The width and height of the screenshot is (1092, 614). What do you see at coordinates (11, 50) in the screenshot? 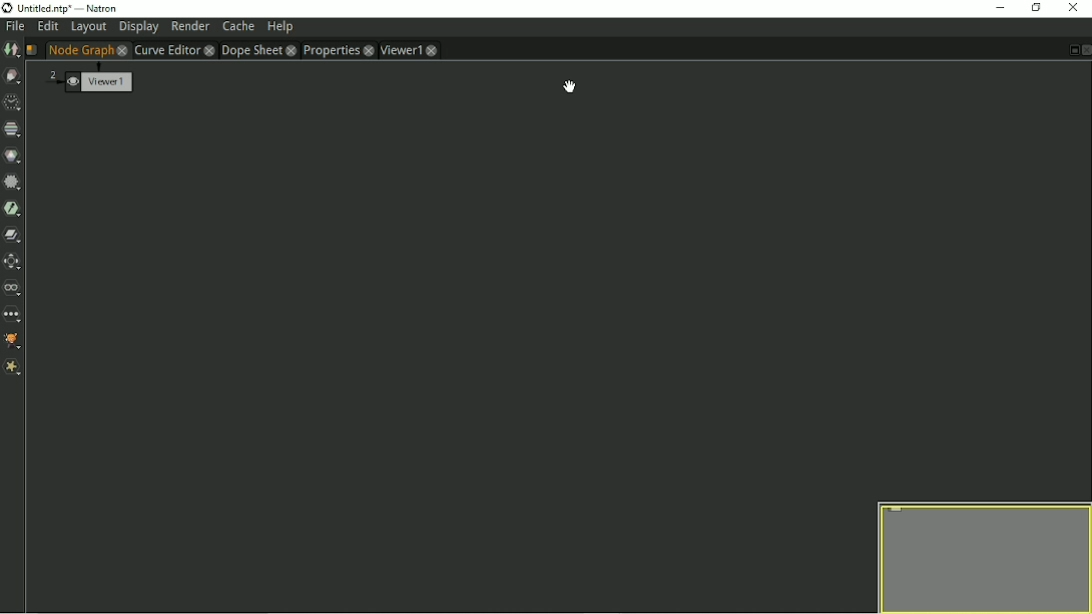
I see `Image` at bounding box center [11, 50].